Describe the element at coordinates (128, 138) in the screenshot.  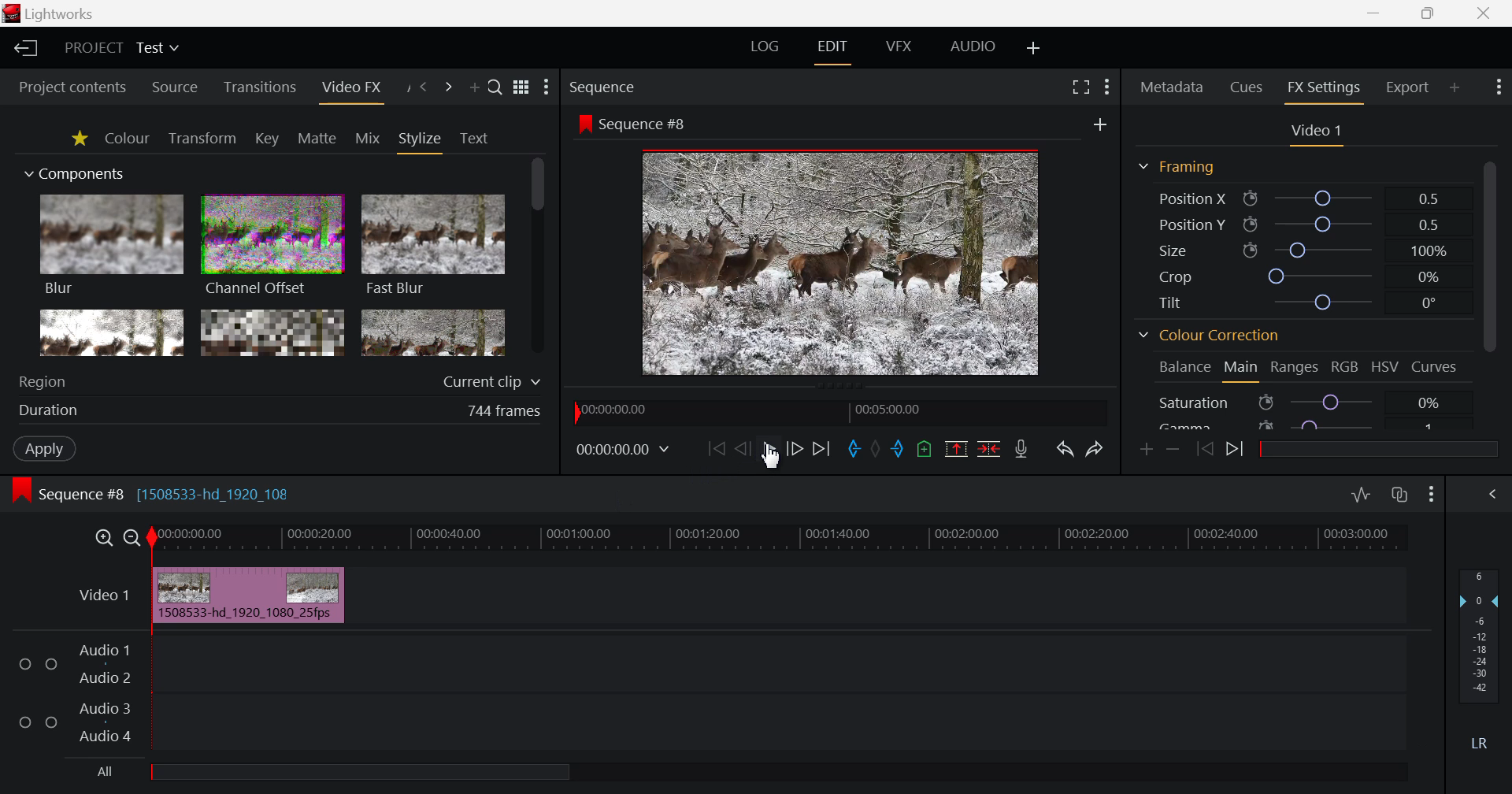
I see `Colour` at that location.